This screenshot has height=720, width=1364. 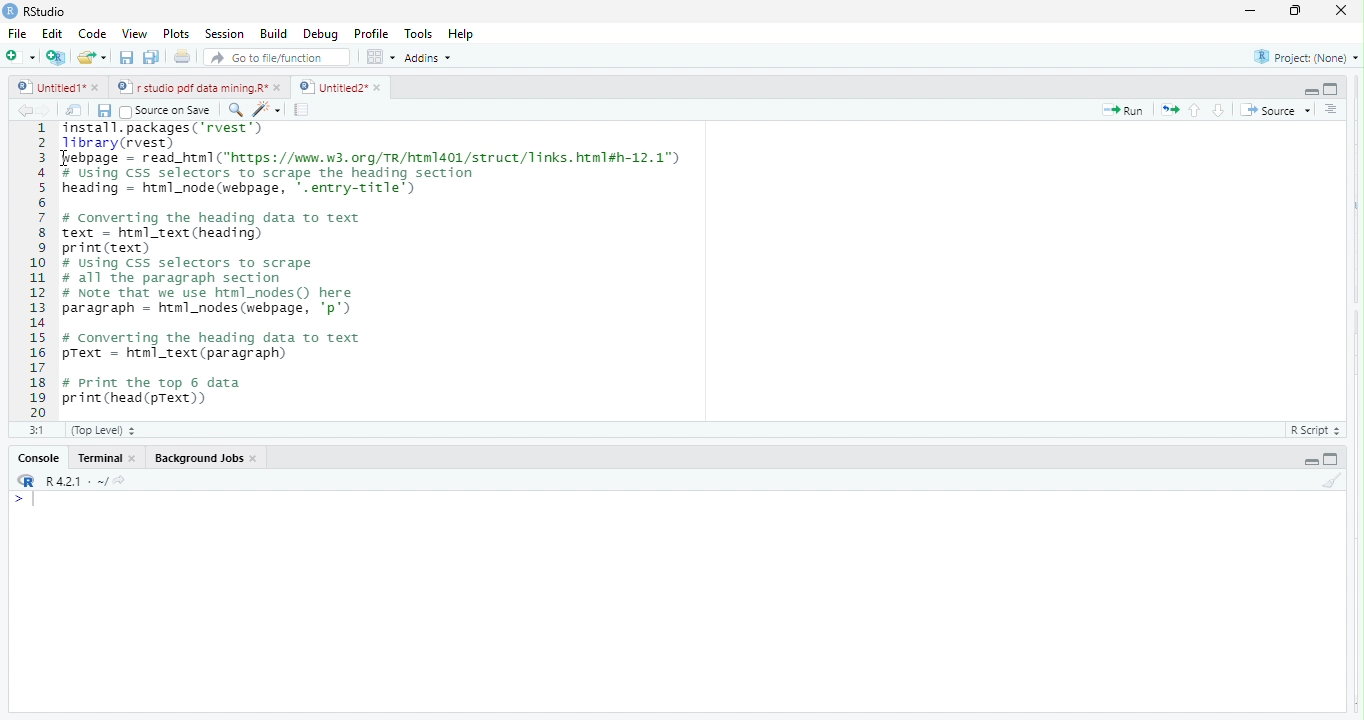 I want to click on compile report, so click(x=303, y=111).